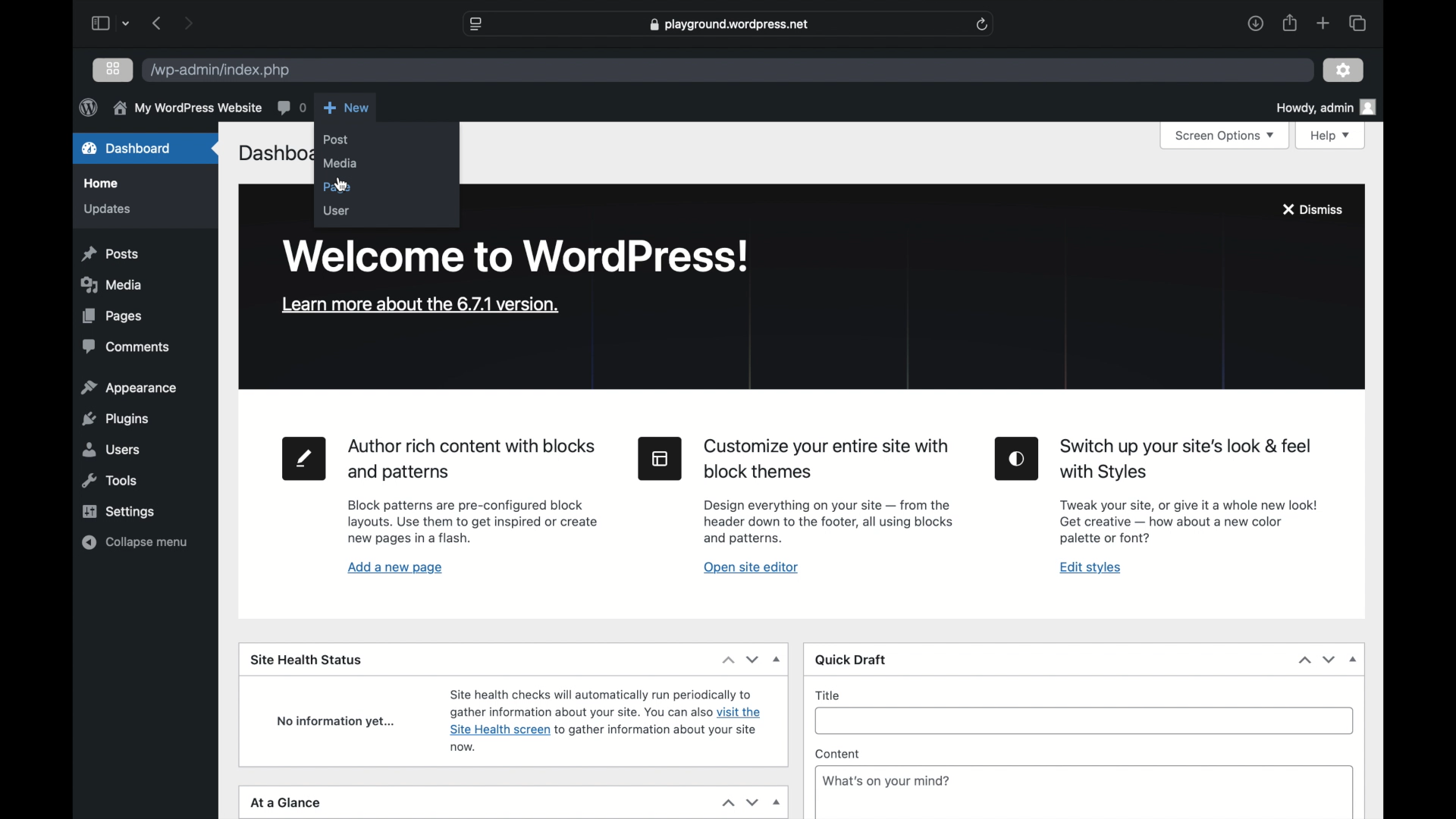  What do you see at coordinates (1255, 23) in the screenshot?
I see `downloads` at bounding box center [1255, 23].